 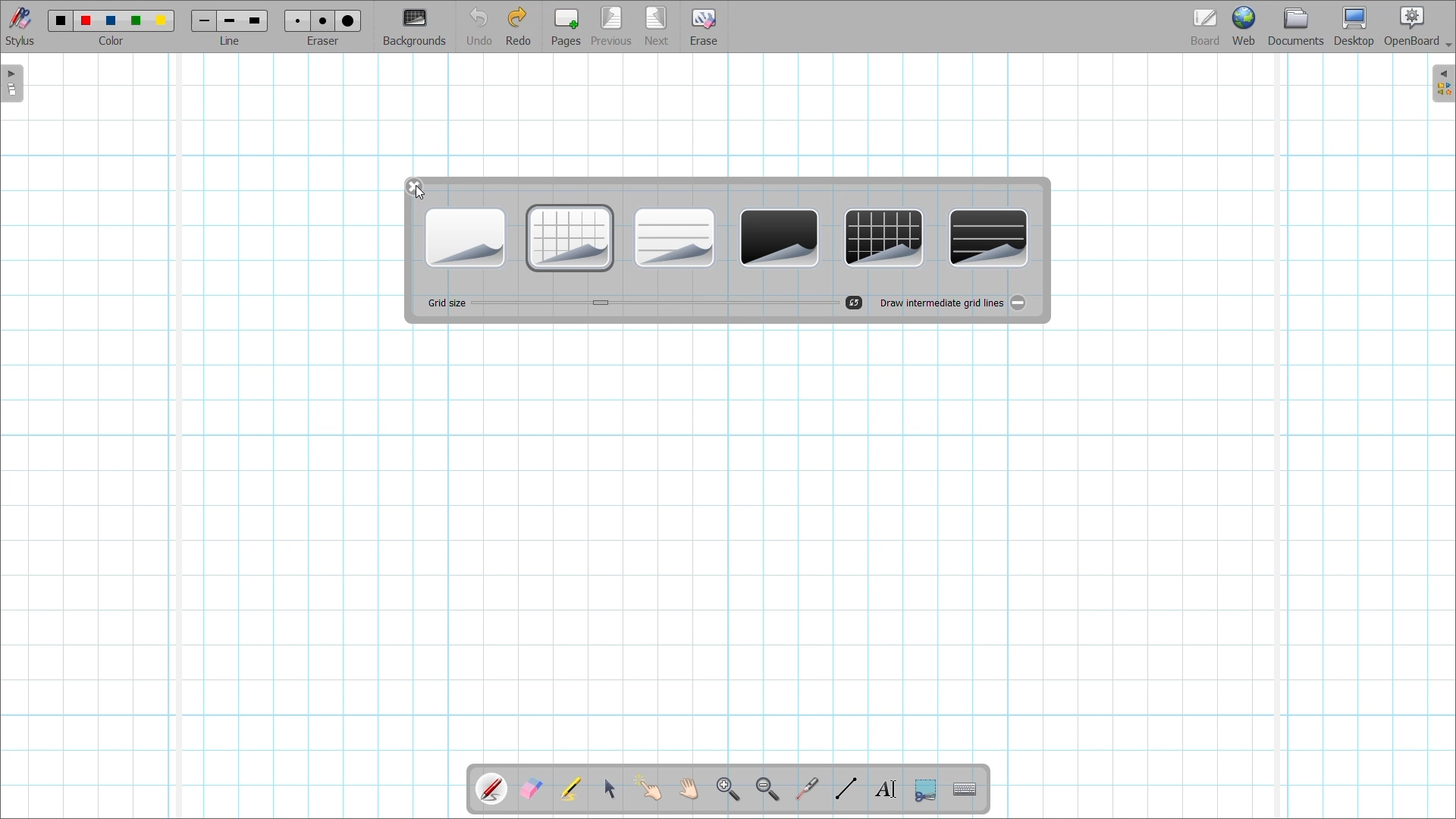 I want to click on Current selection/Board, so click(x=1206, y=26).